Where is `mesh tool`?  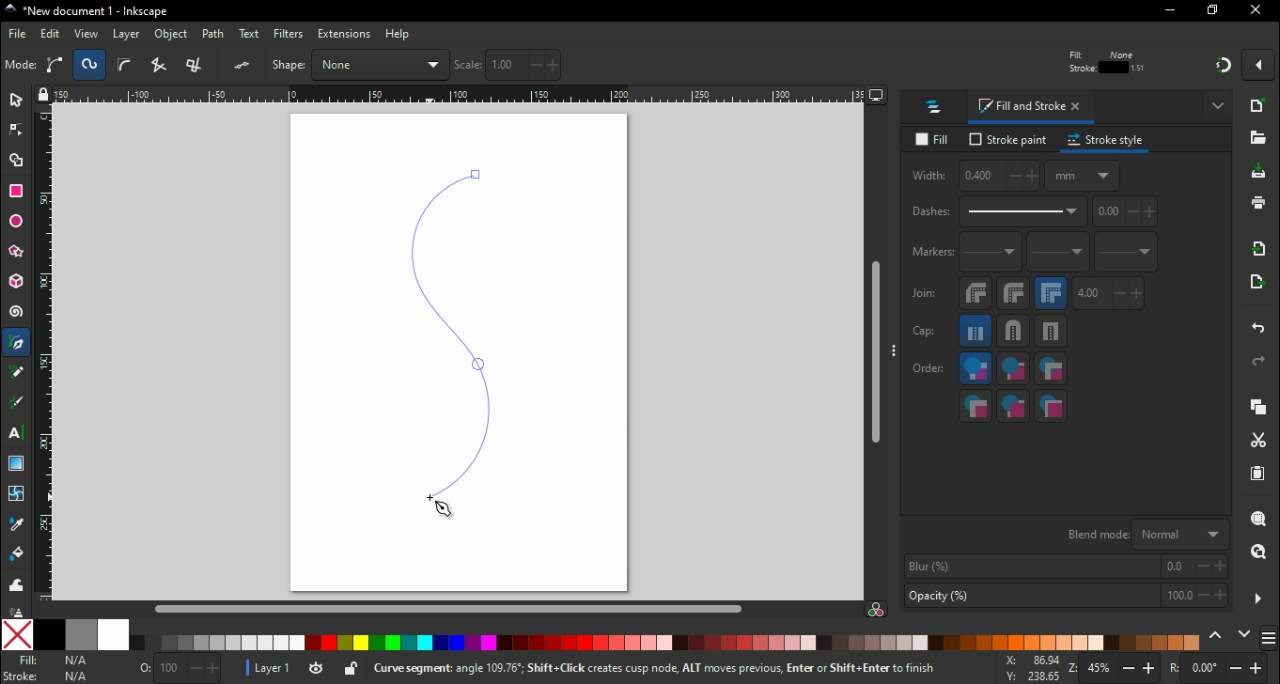 mesh tool is located at coordinates (14, 495).